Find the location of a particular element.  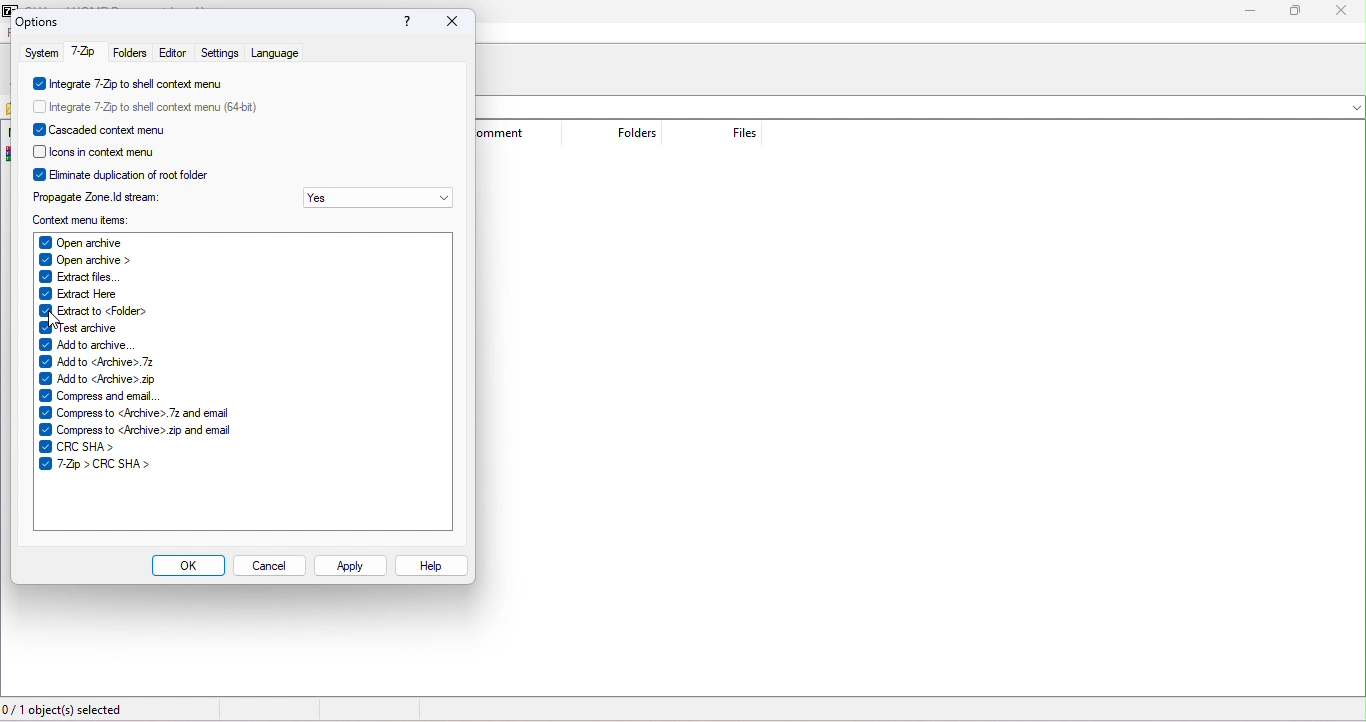

add to <archive>.zip is located at coordinates (100, 379).